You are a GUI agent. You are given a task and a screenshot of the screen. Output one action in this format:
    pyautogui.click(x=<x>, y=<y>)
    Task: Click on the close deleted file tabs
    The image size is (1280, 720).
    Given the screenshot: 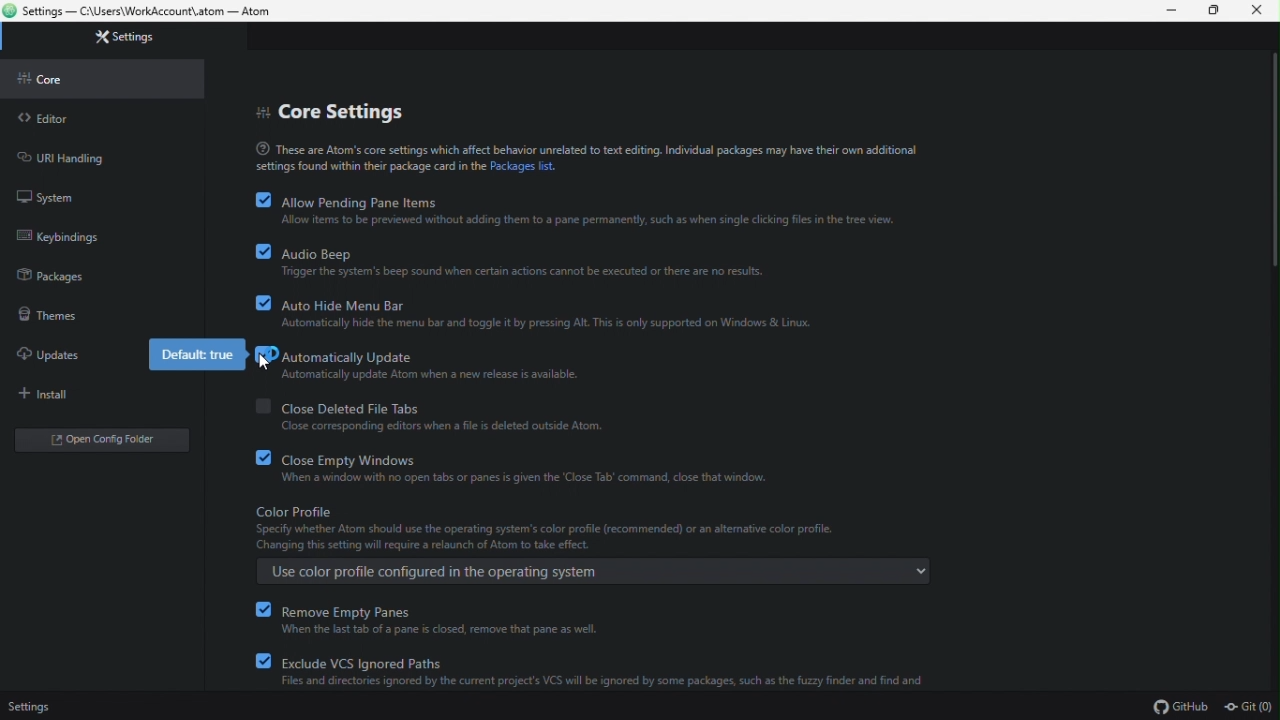 What is the action you would take?
    pyautogui.click(x=440, y=412)
    